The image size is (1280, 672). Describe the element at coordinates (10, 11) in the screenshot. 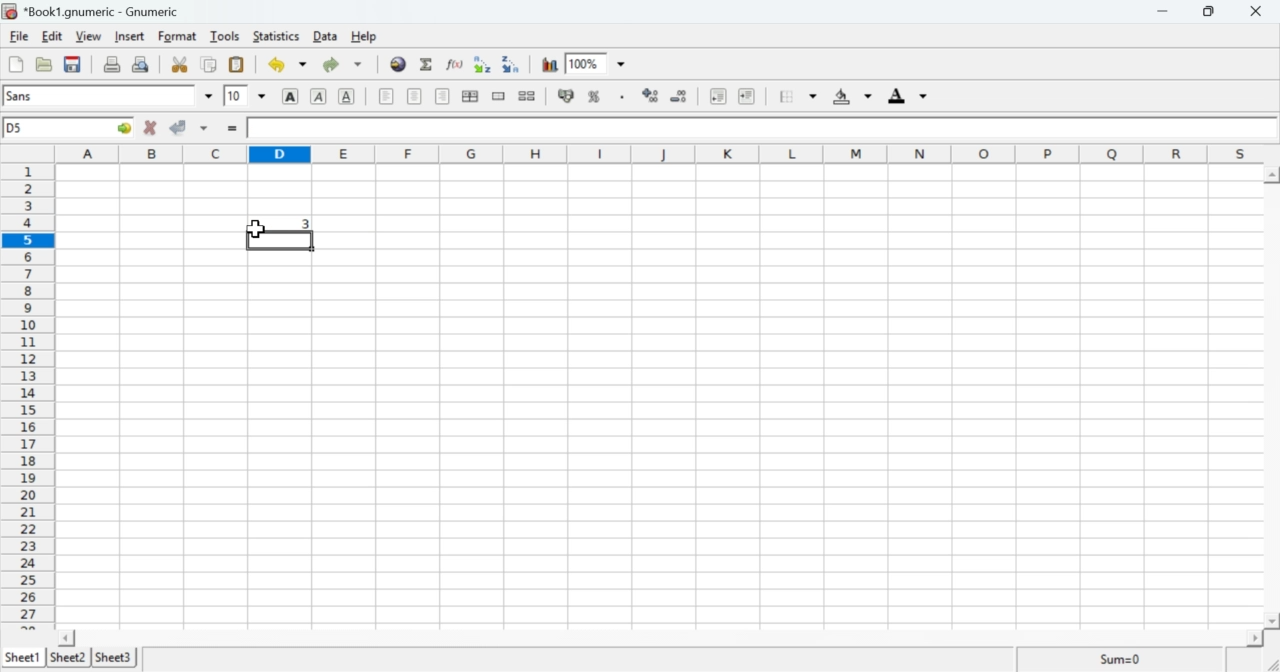

I see `icon` at that location.